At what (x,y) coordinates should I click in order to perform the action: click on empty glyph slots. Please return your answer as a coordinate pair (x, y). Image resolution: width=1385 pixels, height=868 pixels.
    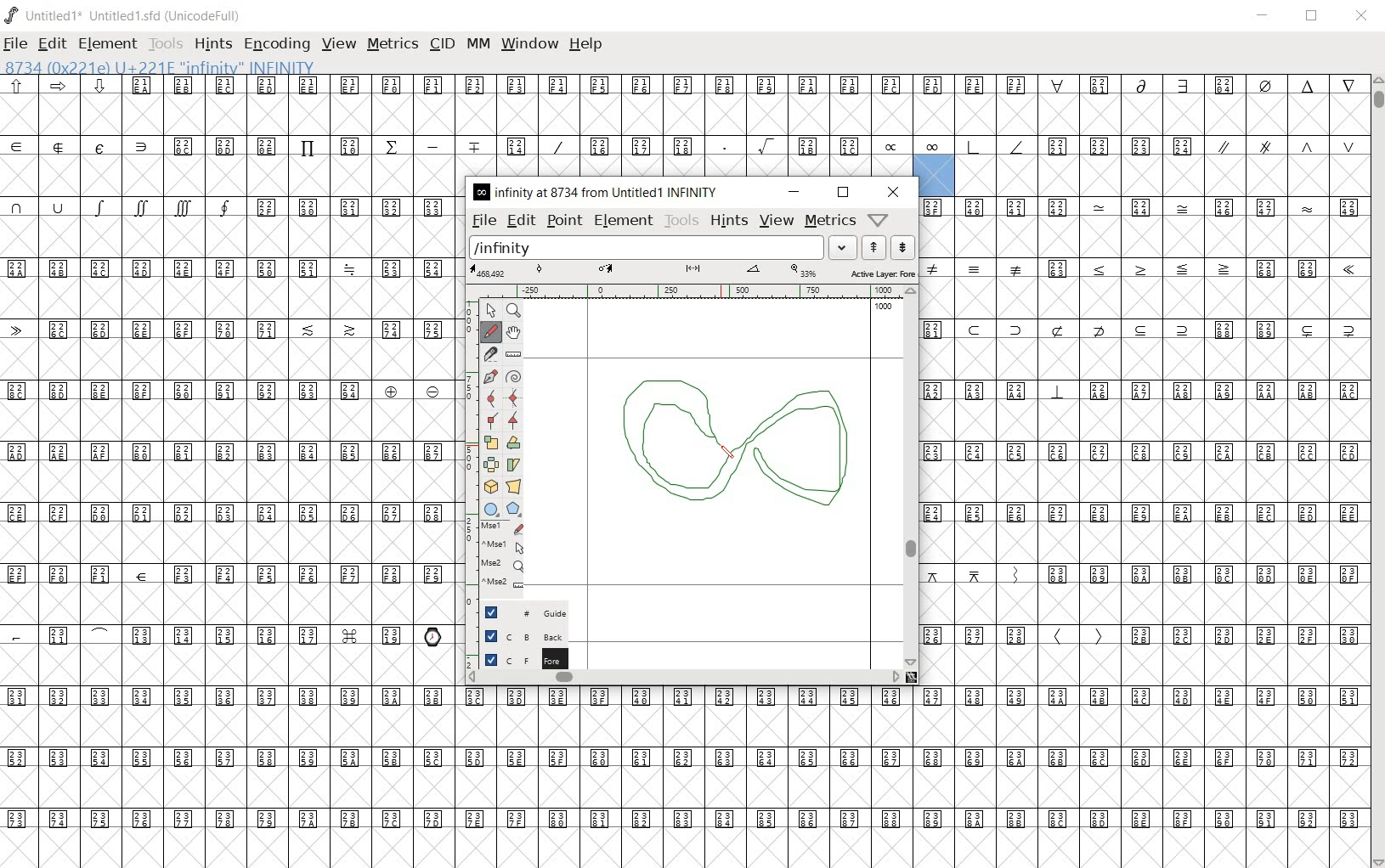
    Looking at the image, I should click on (684, 727).